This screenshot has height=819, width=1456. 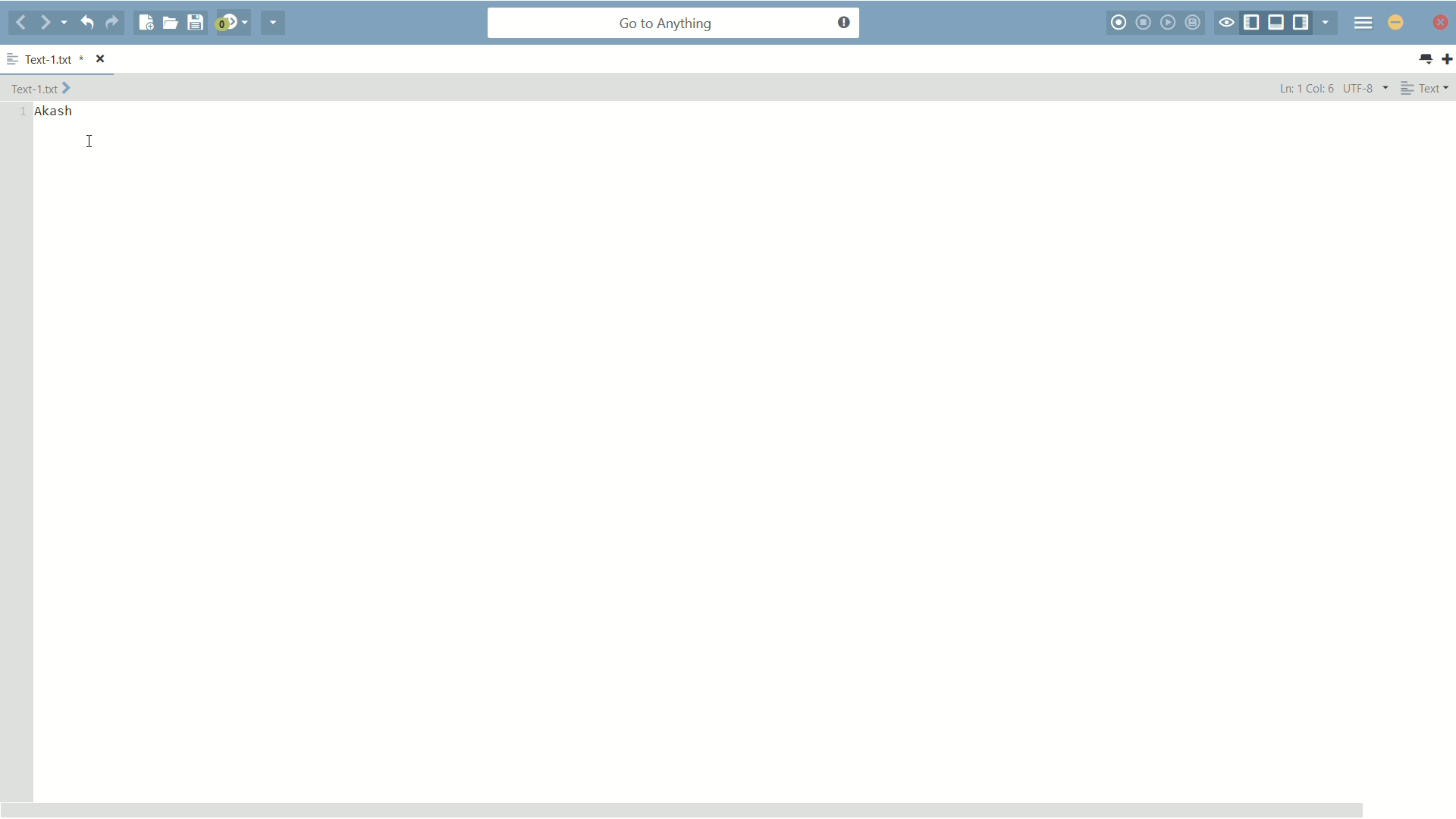 What do you see at coordinates (1169, 22) in the screenshot?
I see `play last macro` at bounding box center [1169, 22].